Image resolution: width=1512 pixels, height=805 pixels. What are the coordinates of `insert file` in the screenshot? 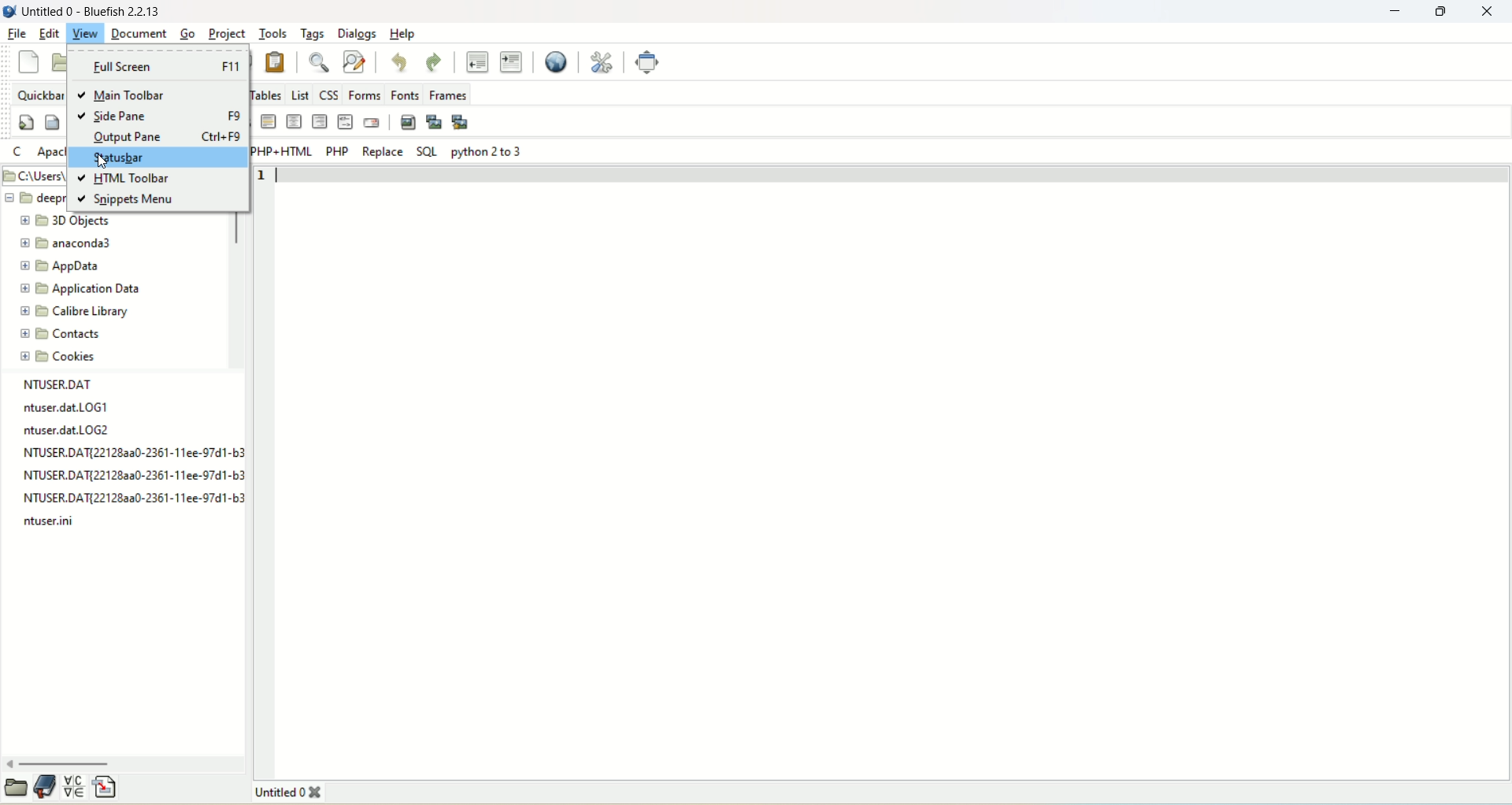 It's located at (106, 788).